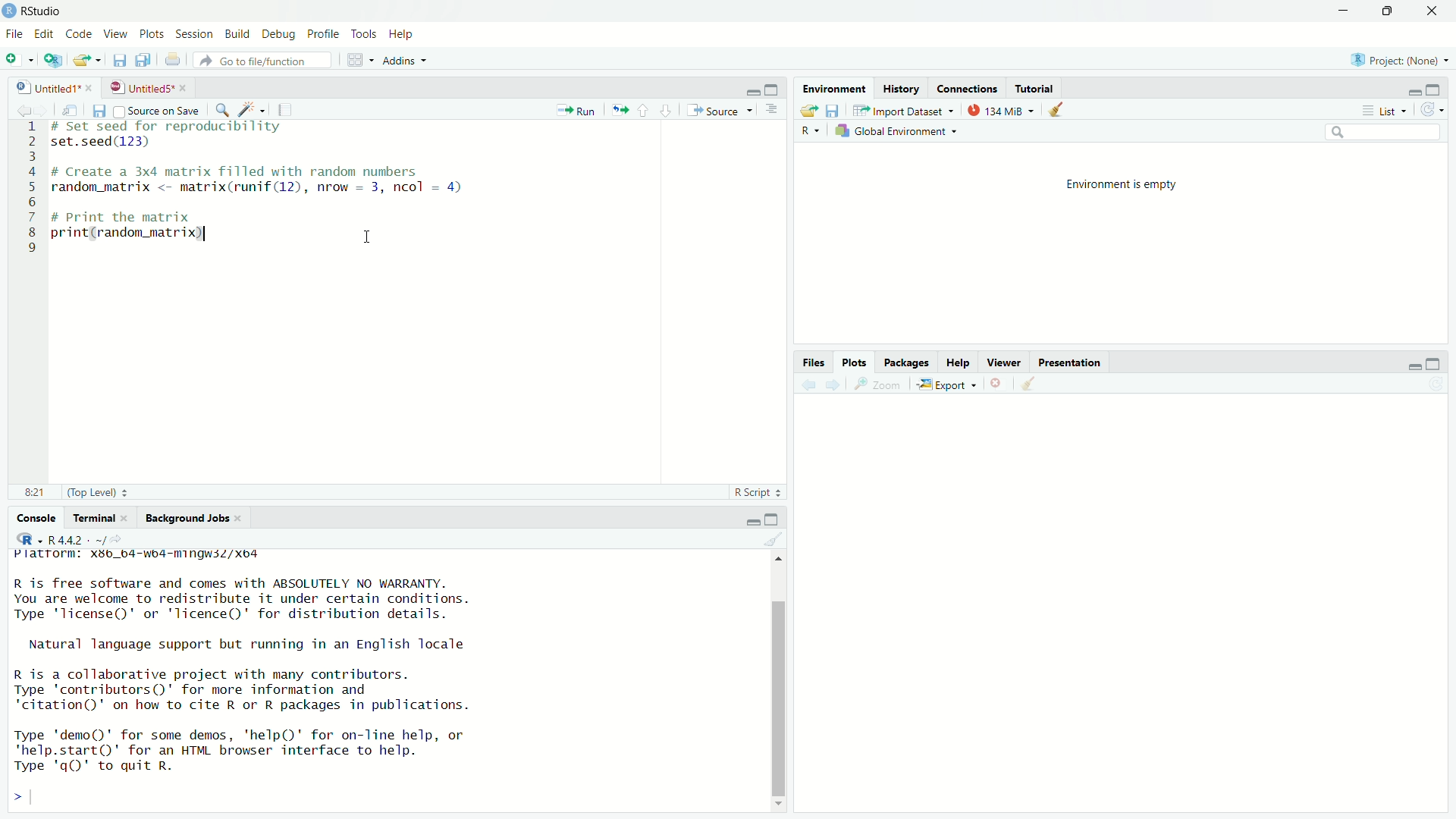 This screenshot has width=1456, height=819. Describe the element at coordinates (36, 516) in the screenshot. I see `Console` at that location.